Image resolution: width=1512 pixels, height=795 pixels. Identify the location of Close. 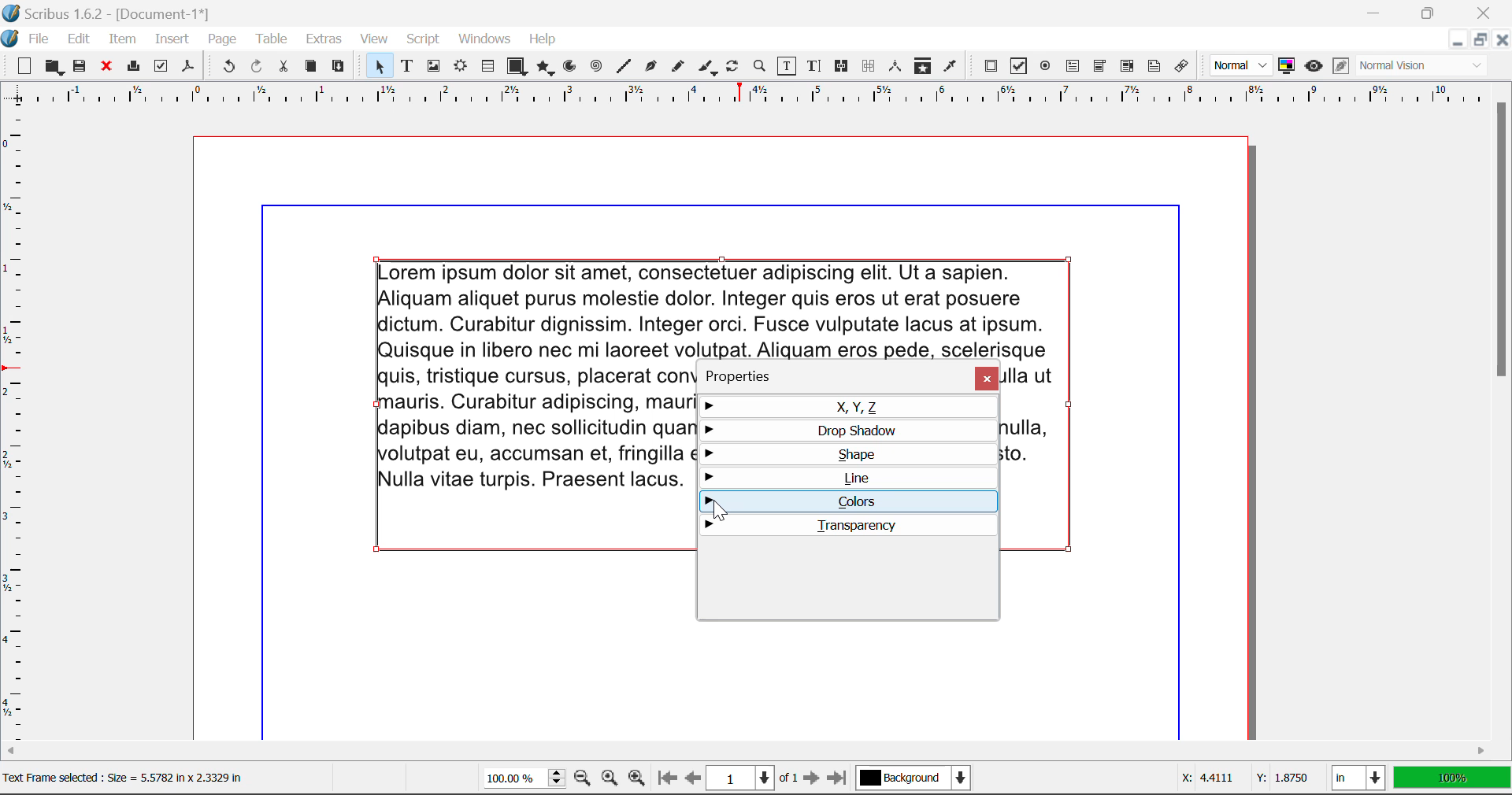
(987, 378).